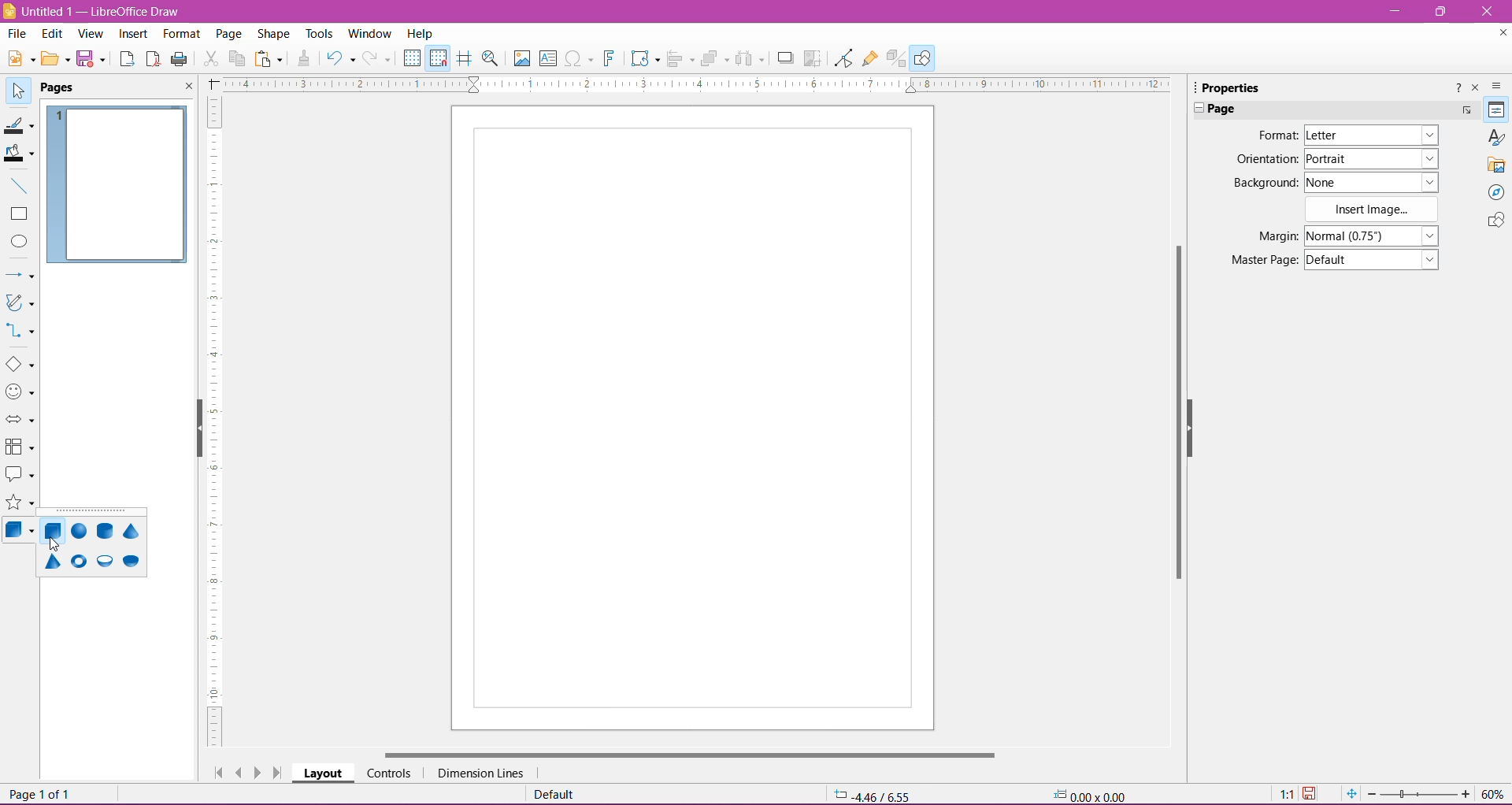 This screenshot has height=805, width=1512. Describe the element at coordinates (465, 58) in the screenshot. I see `Helplines while moving` at that location.